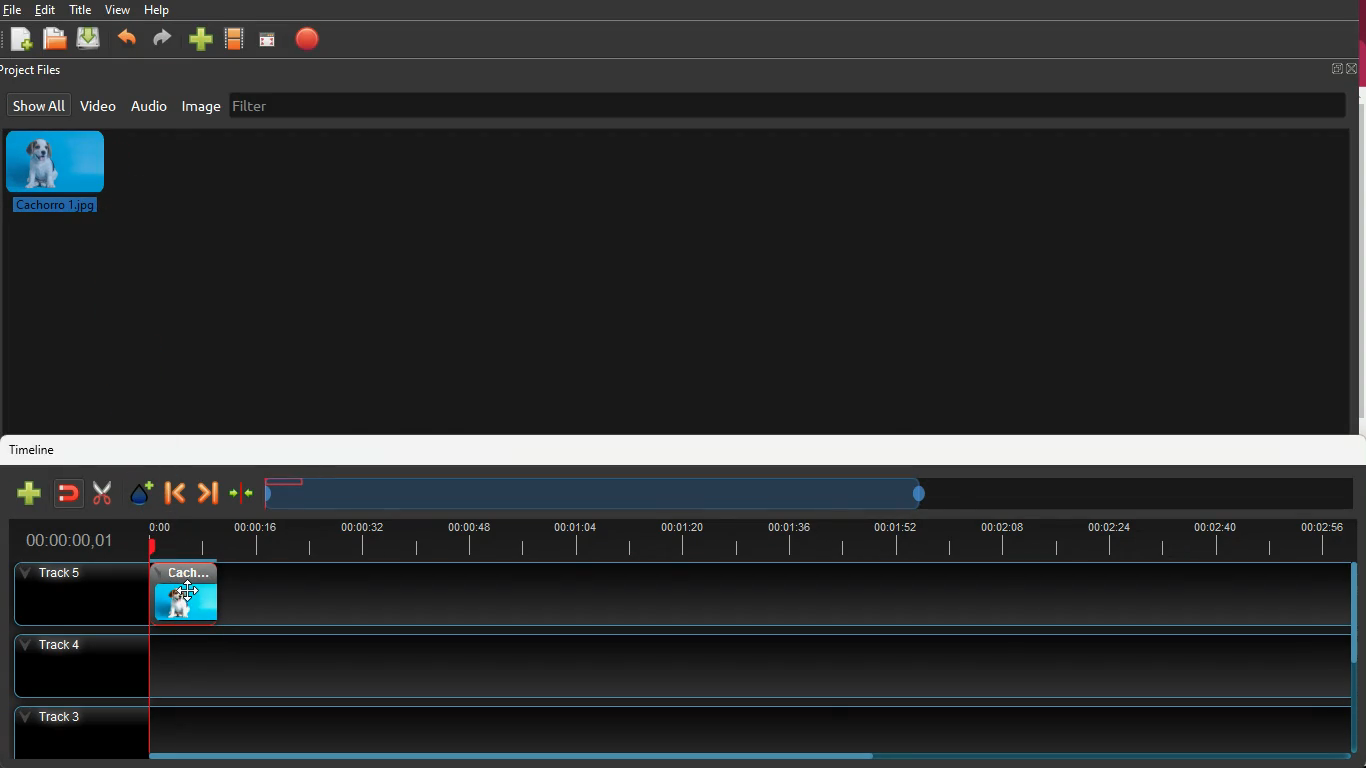 The width and height of the screenshot is (1366, 768). Describe the element at coordinates (70, 493) in the screenshot. I see `join` at that location.